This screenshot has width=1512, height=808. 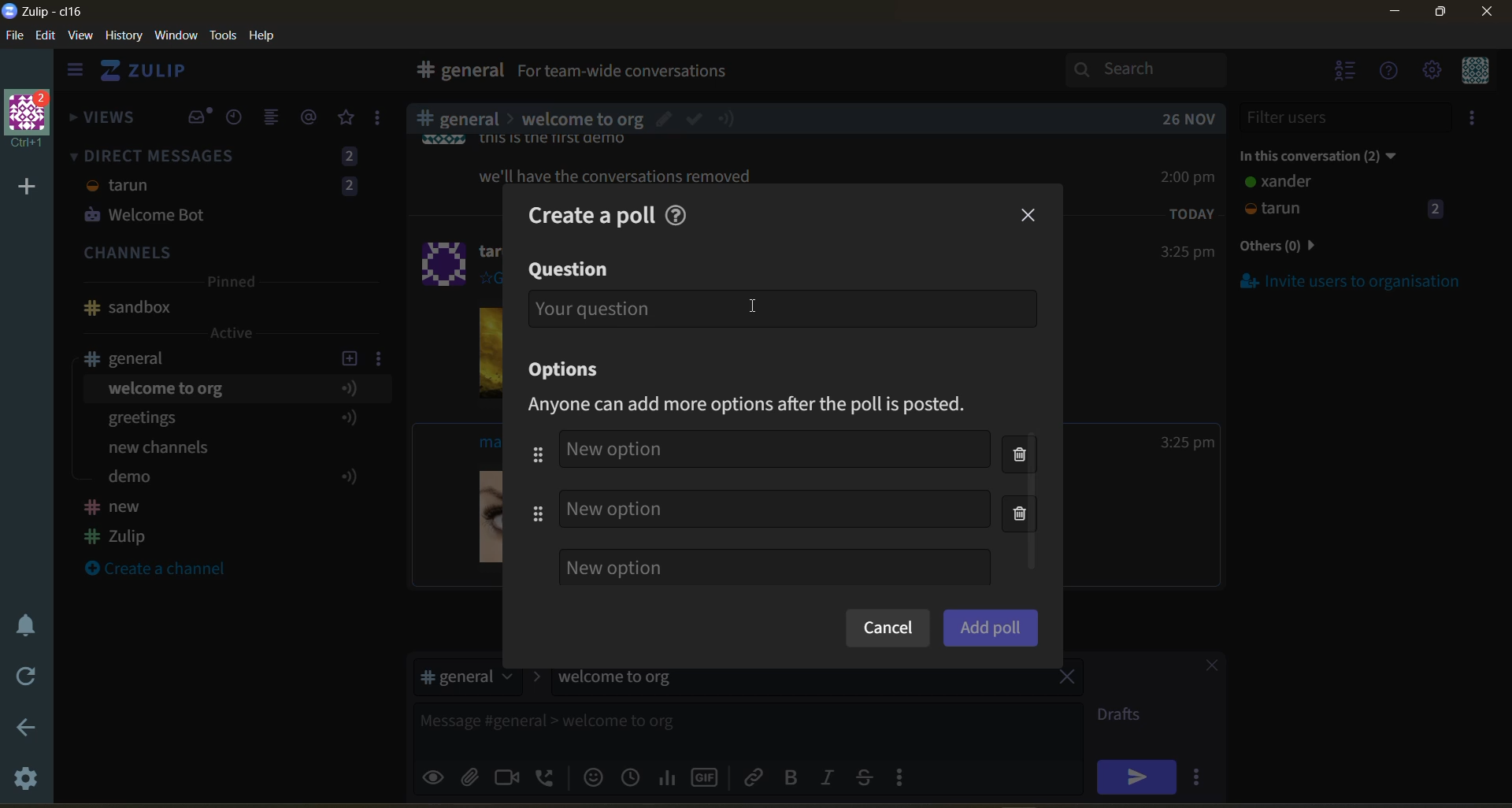 I want to click on create a poll, so click(x=585, y=215).